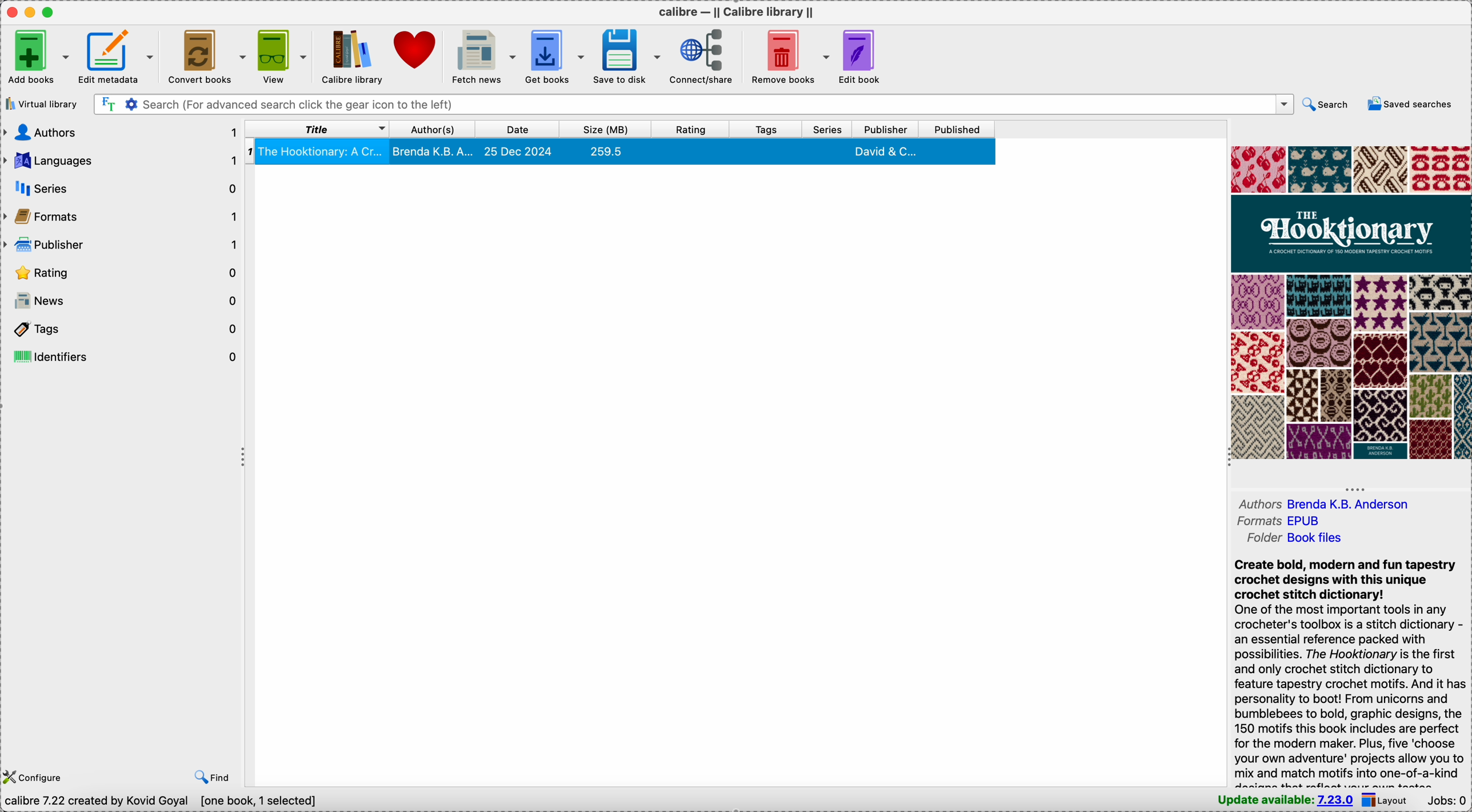  Describe the element at coordinates (1447, 801) in the screenshot. I see `Jobs: 0` at that location.